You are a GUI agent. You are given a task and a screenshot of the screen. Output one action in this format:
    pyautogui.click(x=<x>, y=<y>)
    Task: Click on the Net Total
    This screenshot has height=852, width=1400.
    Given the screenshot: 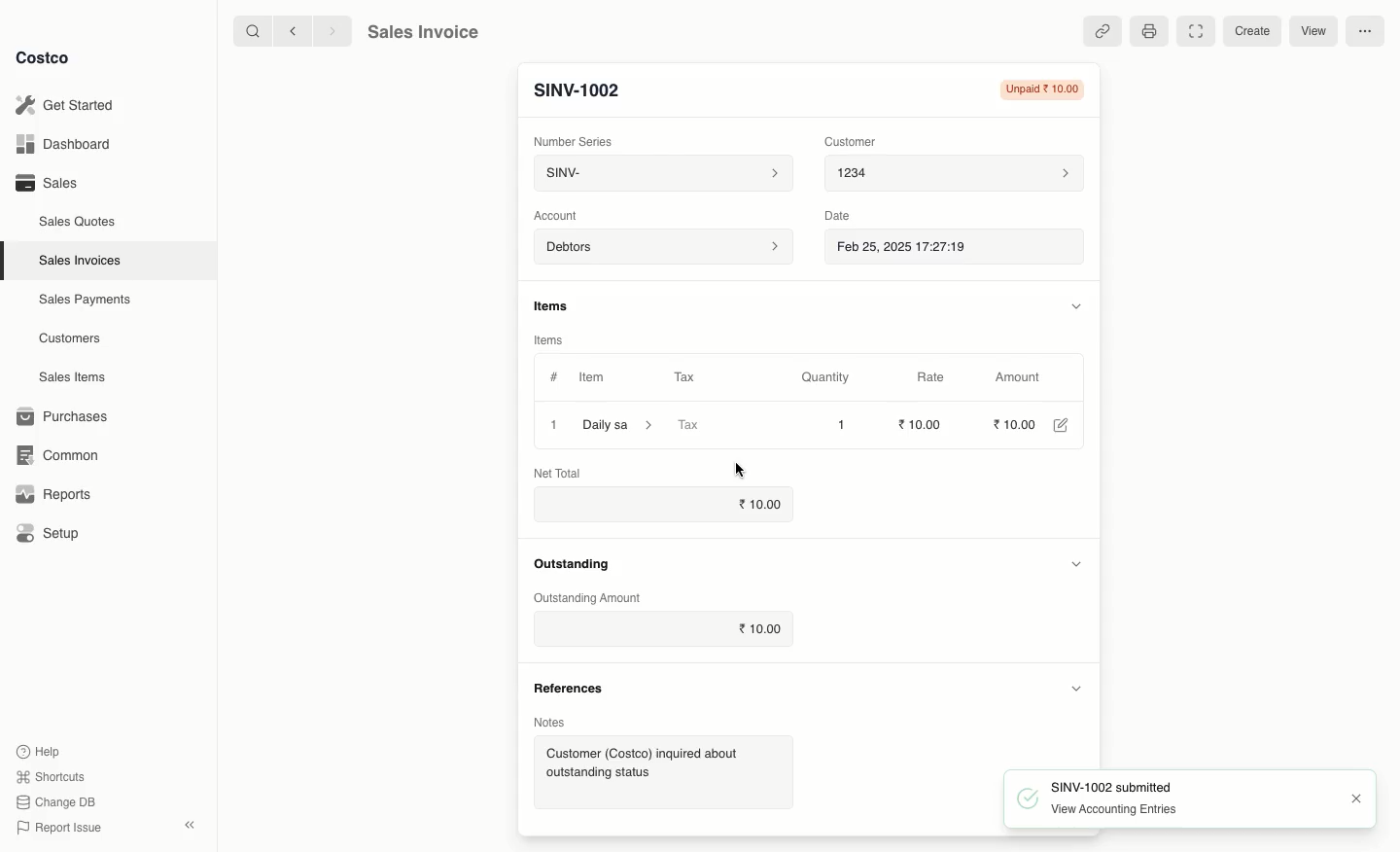 What is the action you would take?
    pyautogui.click(x=558, y=473)
    